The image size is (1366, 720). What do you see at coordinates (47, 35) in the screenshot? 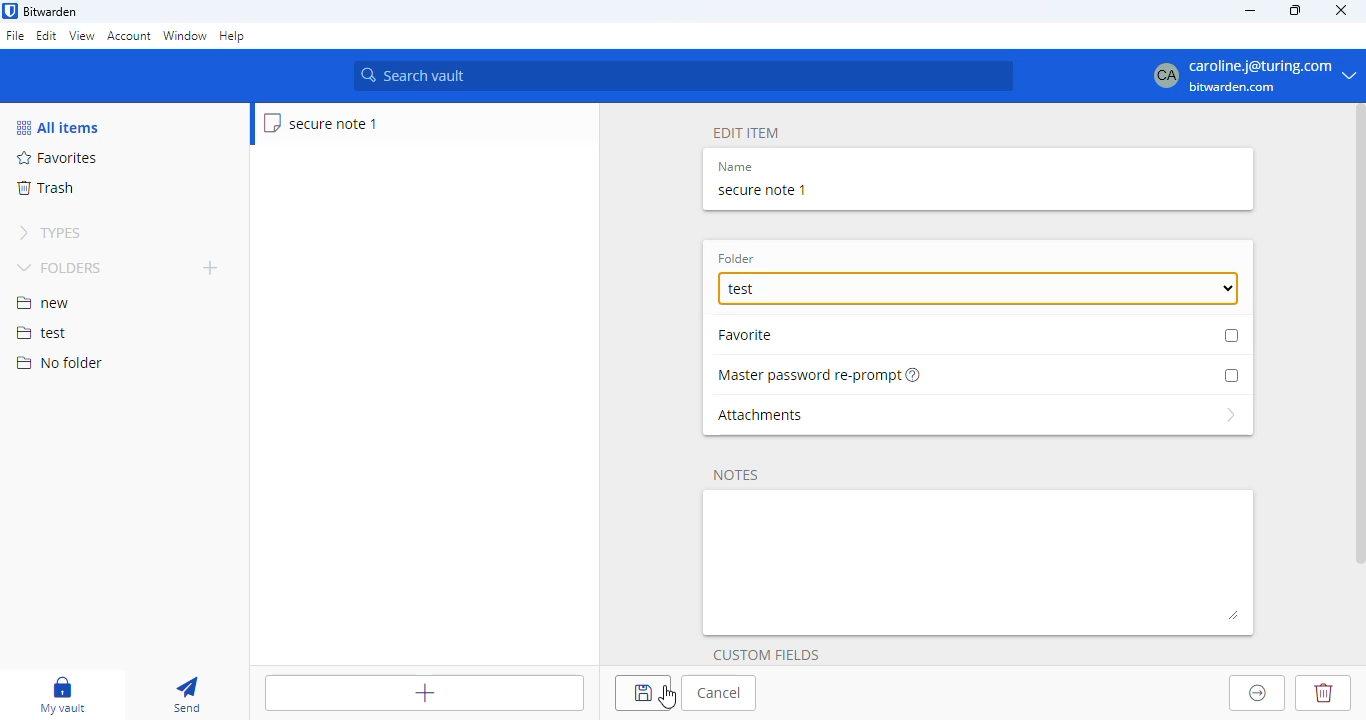
I see `edit` at bounding box center [47, 35].